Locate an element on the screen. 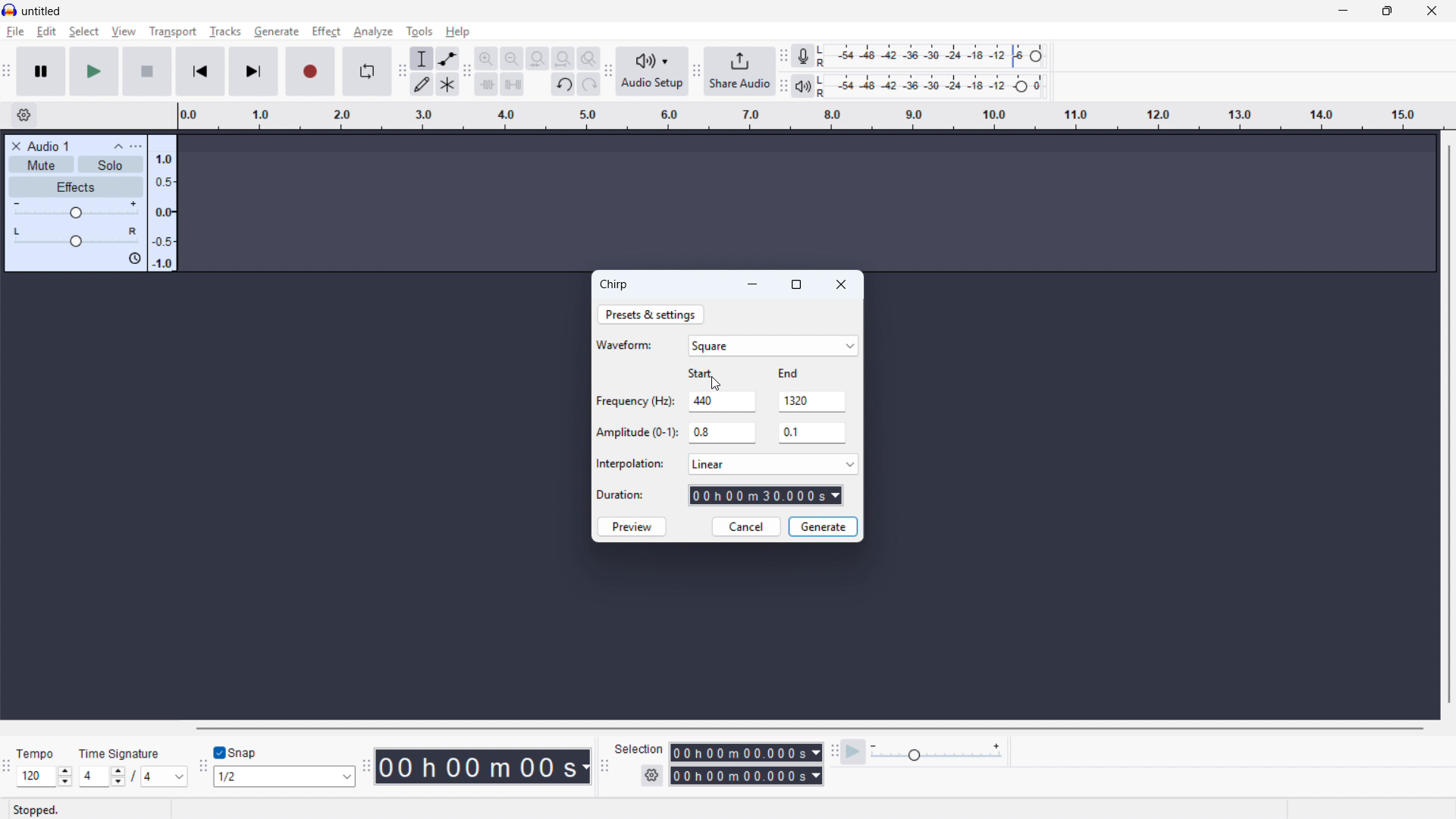 This screenshot has height=819, width=1456. Tracks  is located at coordinates (224, 31).